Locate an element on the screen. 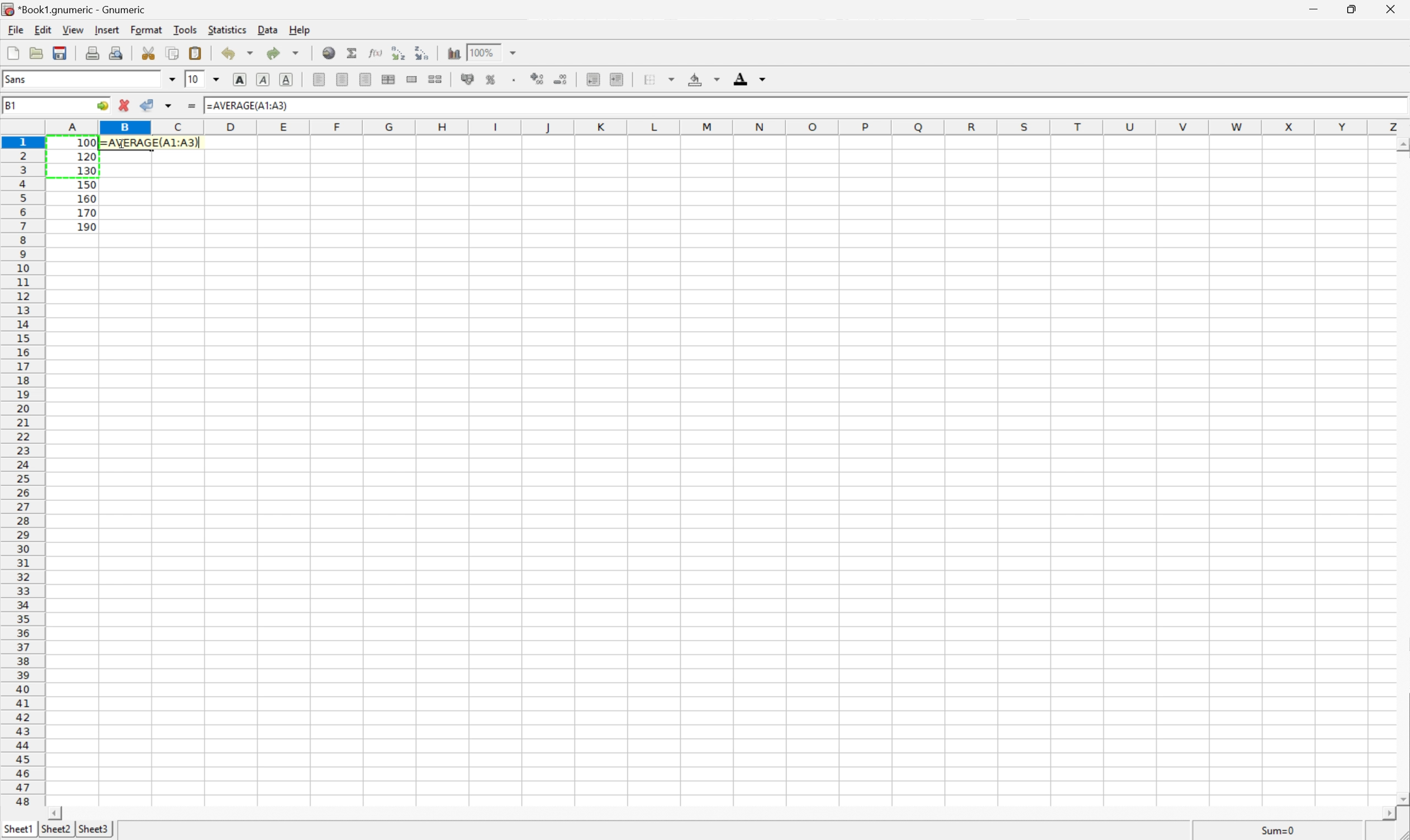  Sans is located at coordinates (17, 79).